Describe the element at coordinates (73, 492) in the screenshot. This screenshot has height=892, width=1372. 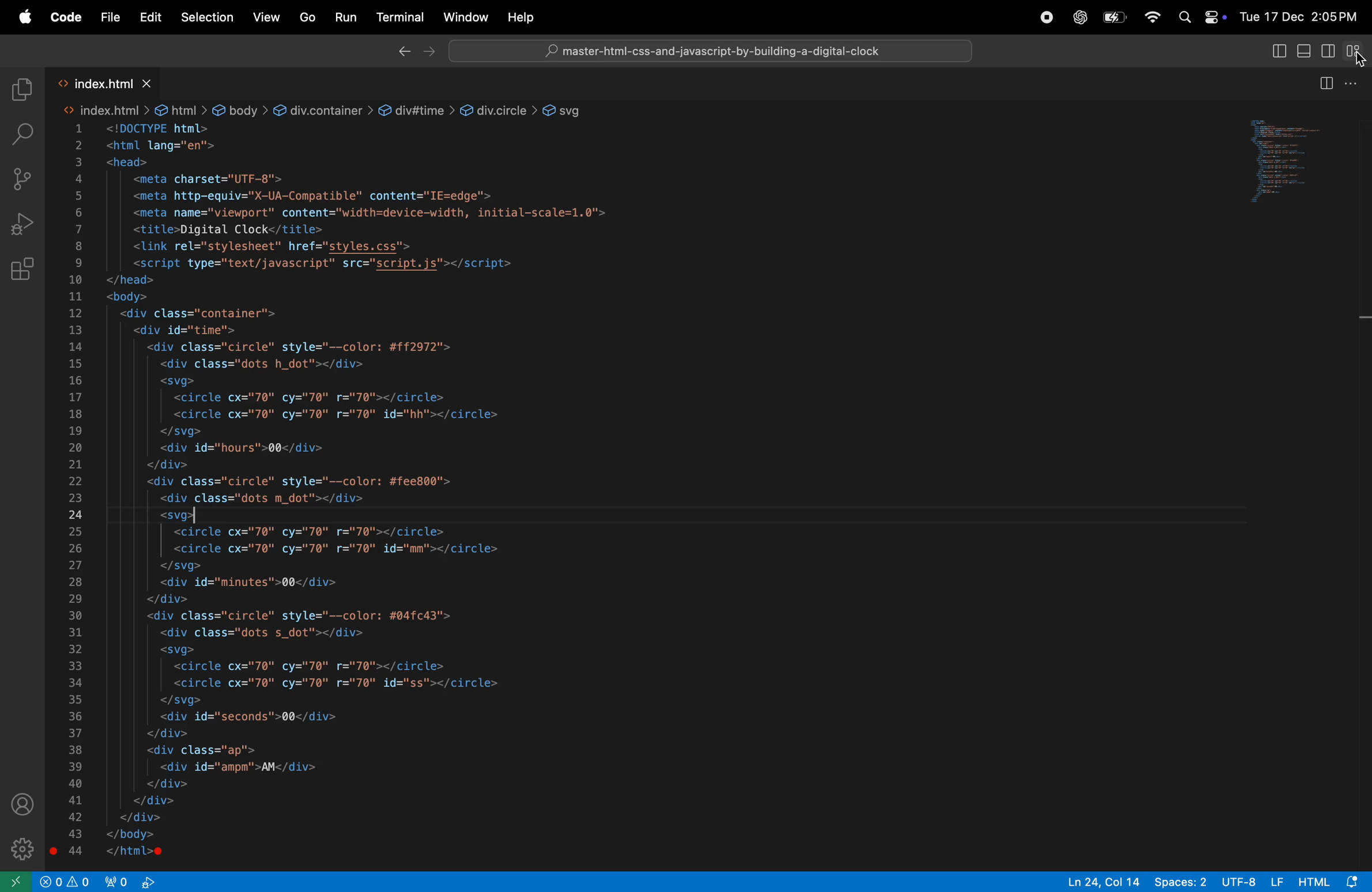
I see `1 2 3 4 5 6 7 8 9 10 11 12 13 14 15 16 17 18 19 20 21 22 23 24 25 26 27 28 29 30 31 32 33 34 35 36 37 38 39 40 41 42 43 44` at that location.